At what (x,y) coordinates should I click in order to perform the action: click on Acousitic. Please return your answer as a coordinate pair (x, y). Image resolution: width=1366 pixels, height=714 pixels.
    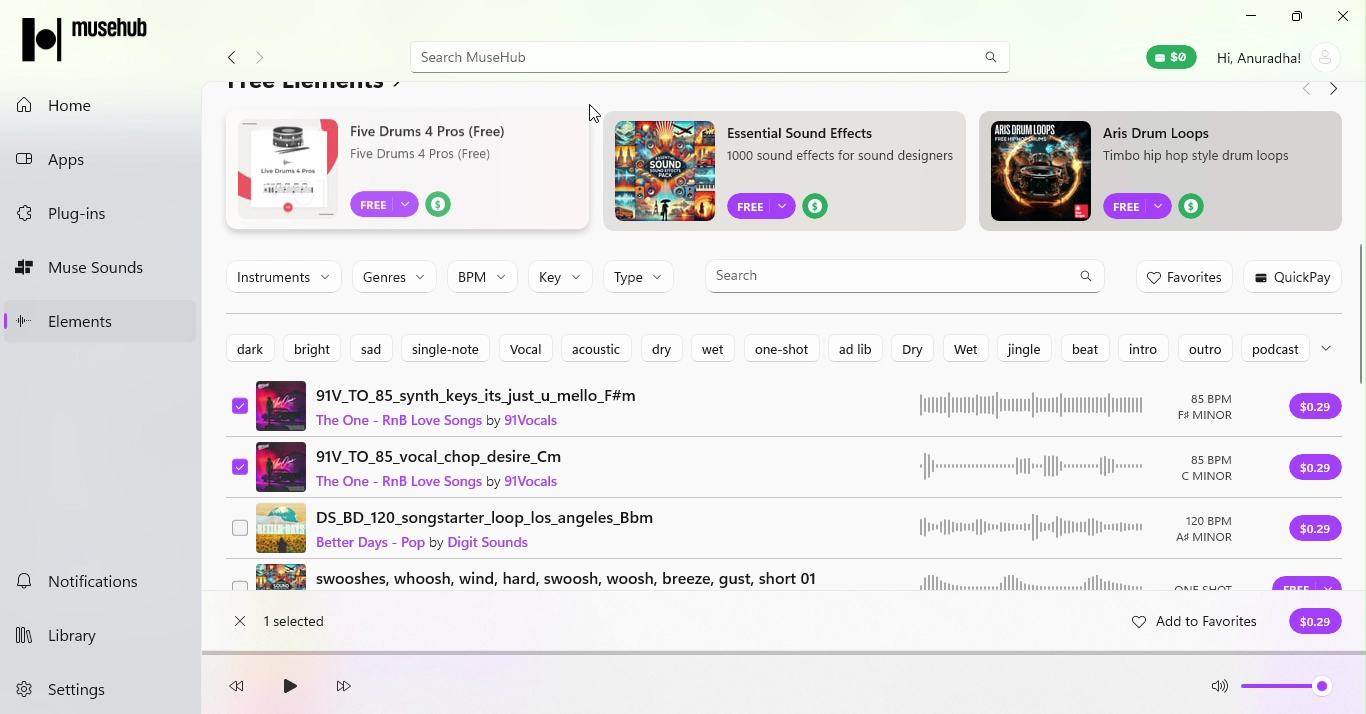
    Looking at the image, I should click on (595, 349).